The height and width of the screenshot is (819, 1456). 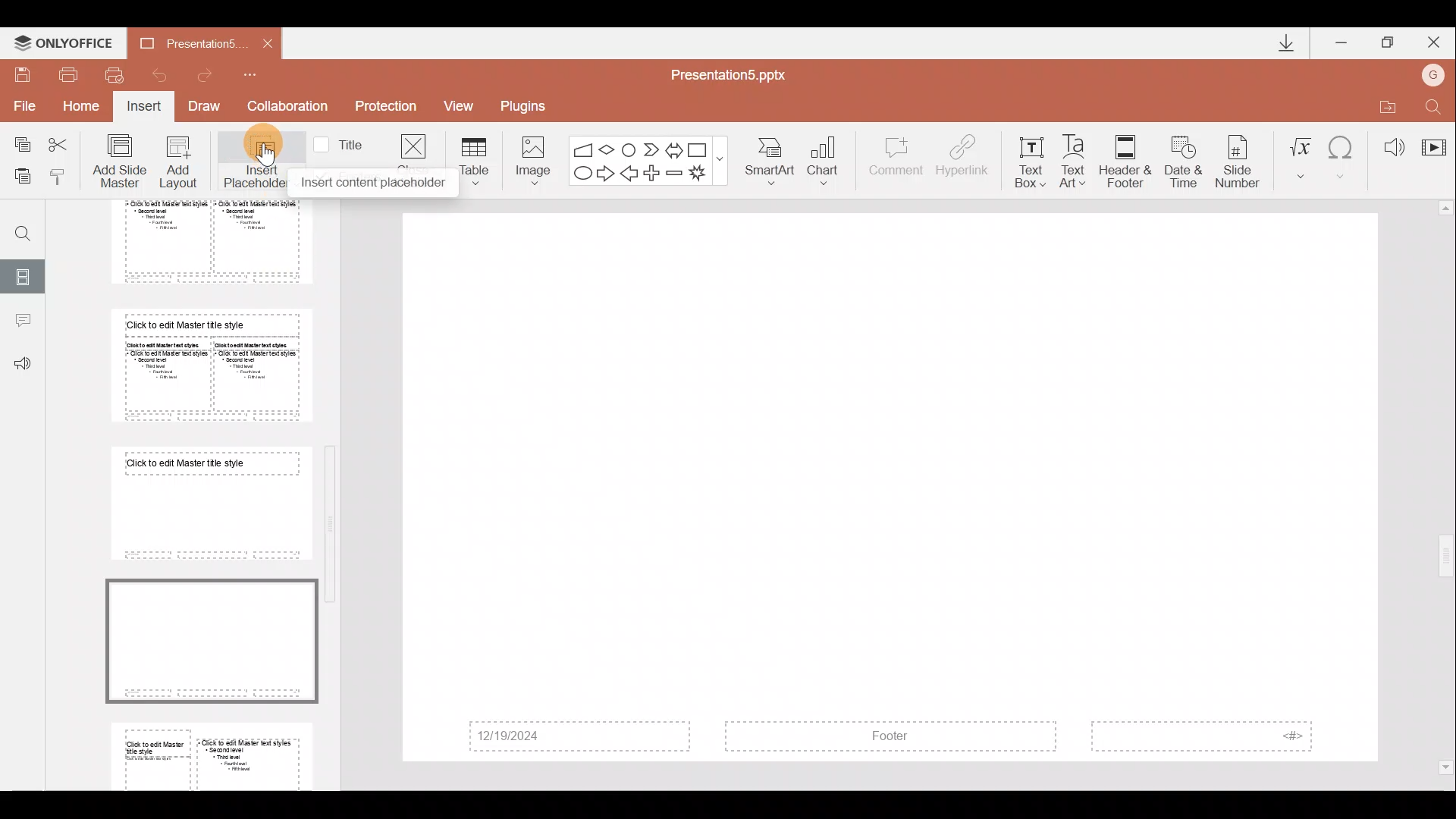 I want to click on Document name, so click(x=737, y=74).